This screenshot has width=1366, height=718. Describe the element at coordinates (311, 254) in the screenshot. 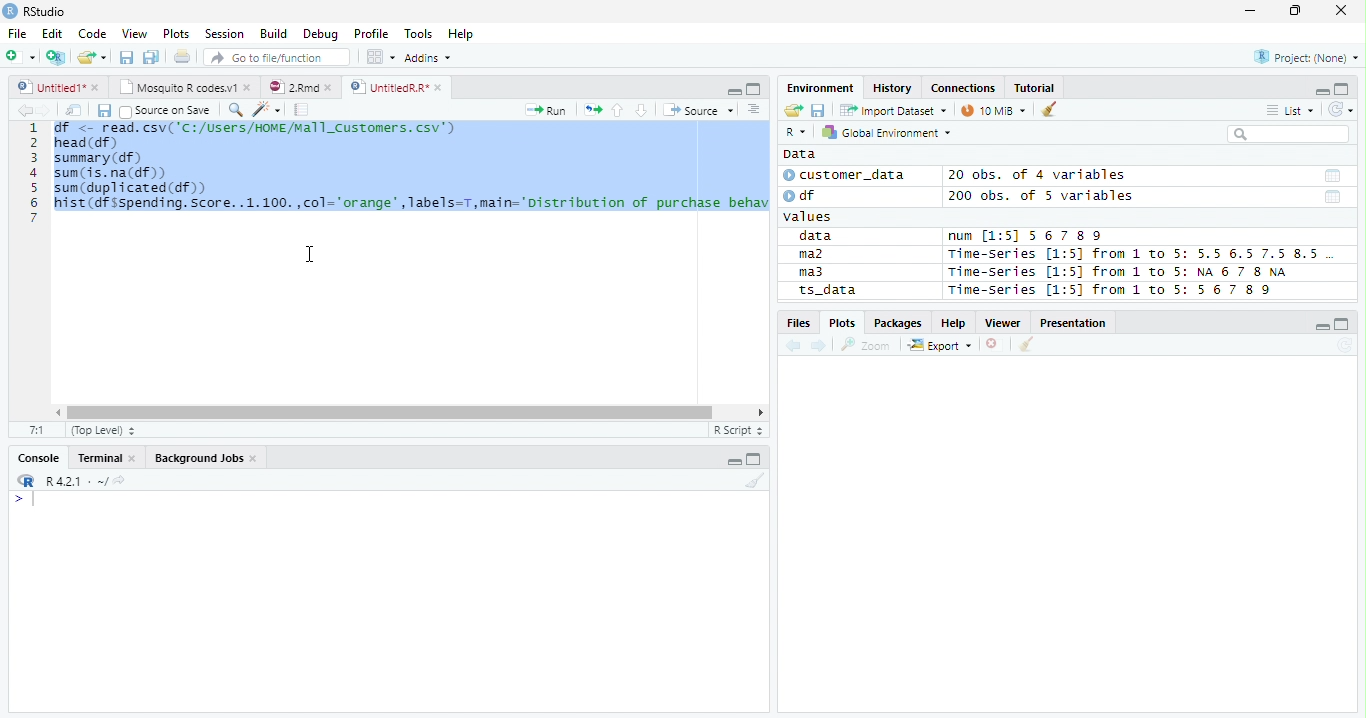

I see `Cursor` at that location.